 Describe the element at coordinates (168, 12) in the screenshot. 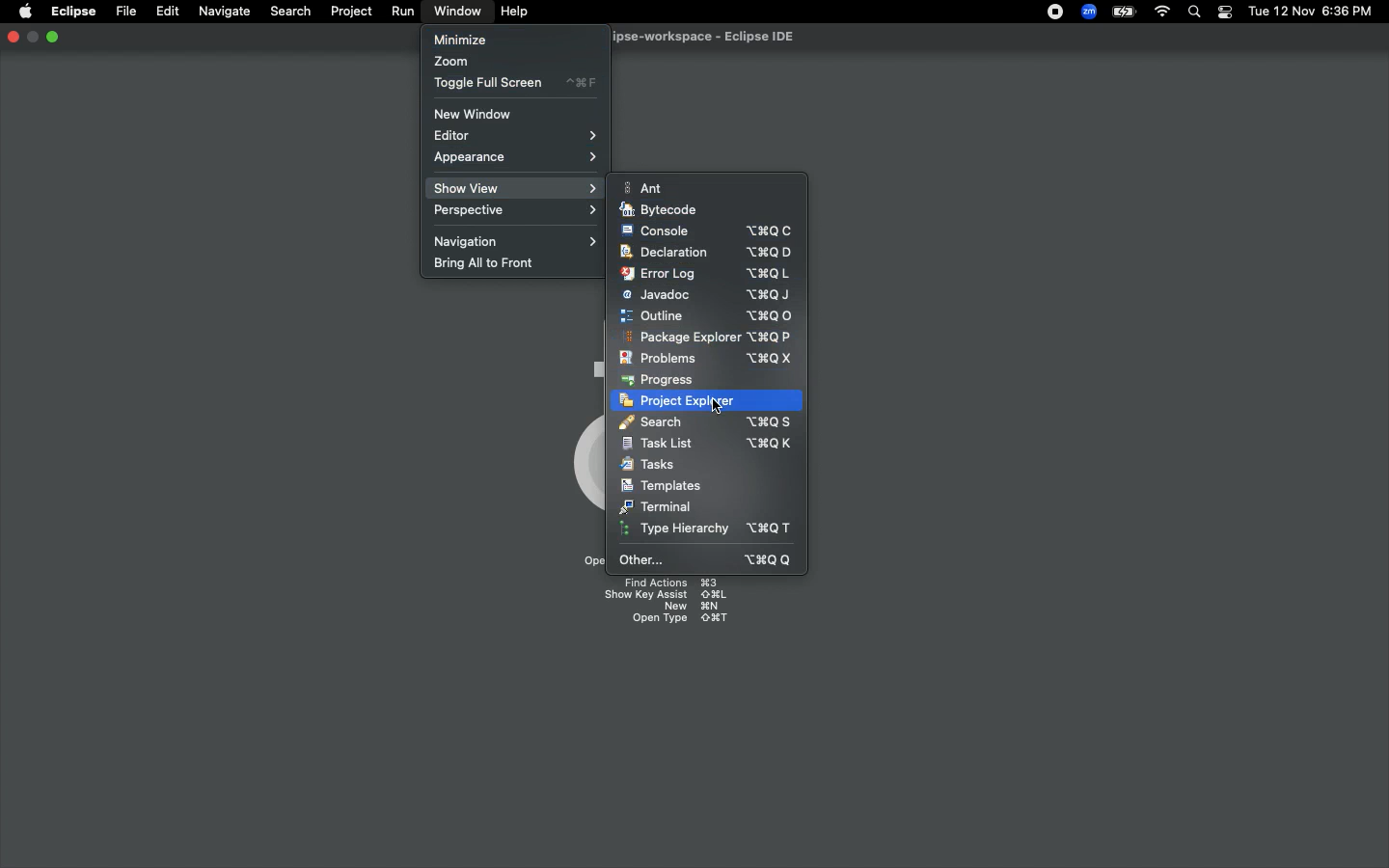

I see `Edit` at that location.